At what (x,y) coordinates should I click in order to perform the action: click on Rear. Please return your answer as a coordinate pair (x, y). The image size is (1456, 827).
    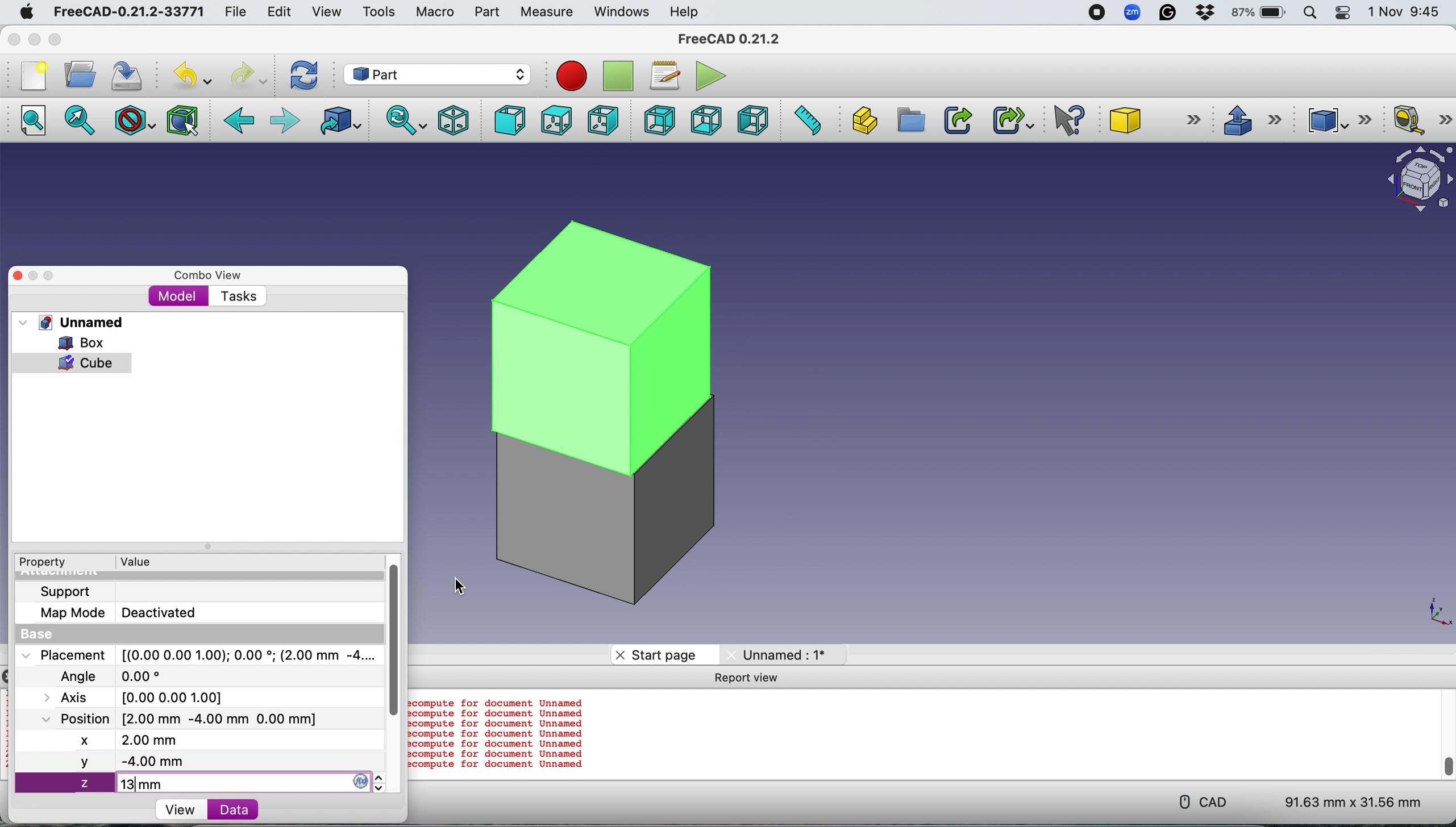
    Looking at the image, I should click on (656, 120).